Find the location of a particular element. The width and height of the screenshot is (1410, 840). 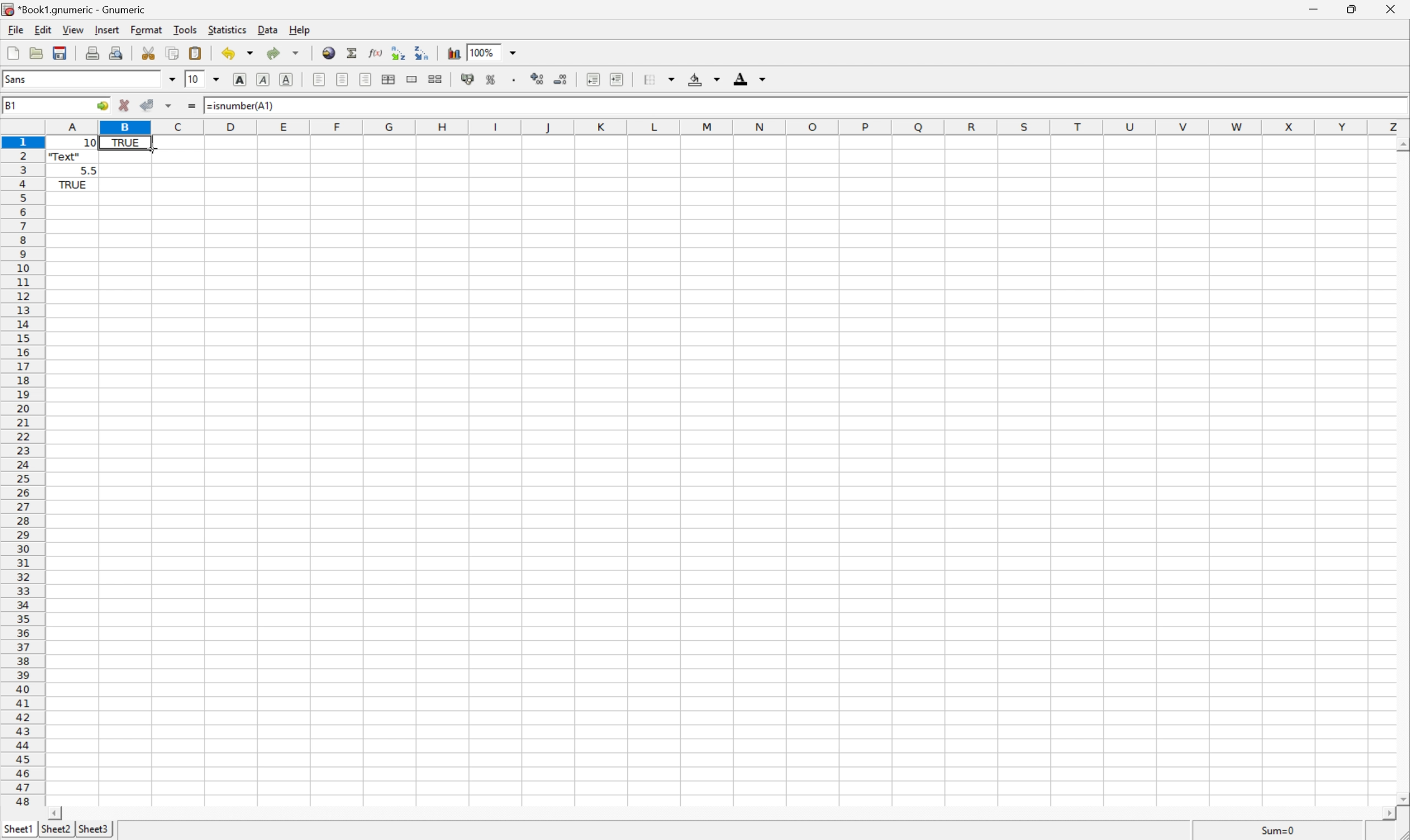

Sort the selected region in descending order based on the first column selected is located at coordinates (399, 53).